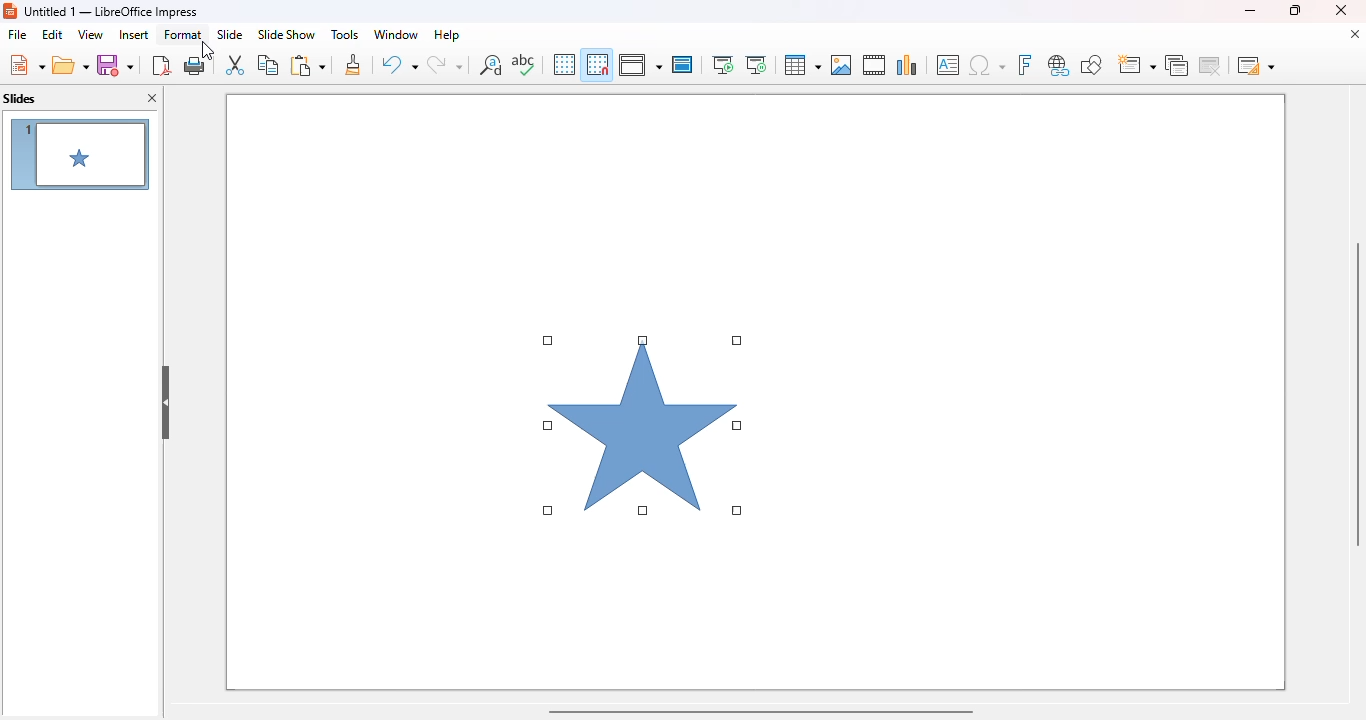  I want to click on insert, so click(134, 35).